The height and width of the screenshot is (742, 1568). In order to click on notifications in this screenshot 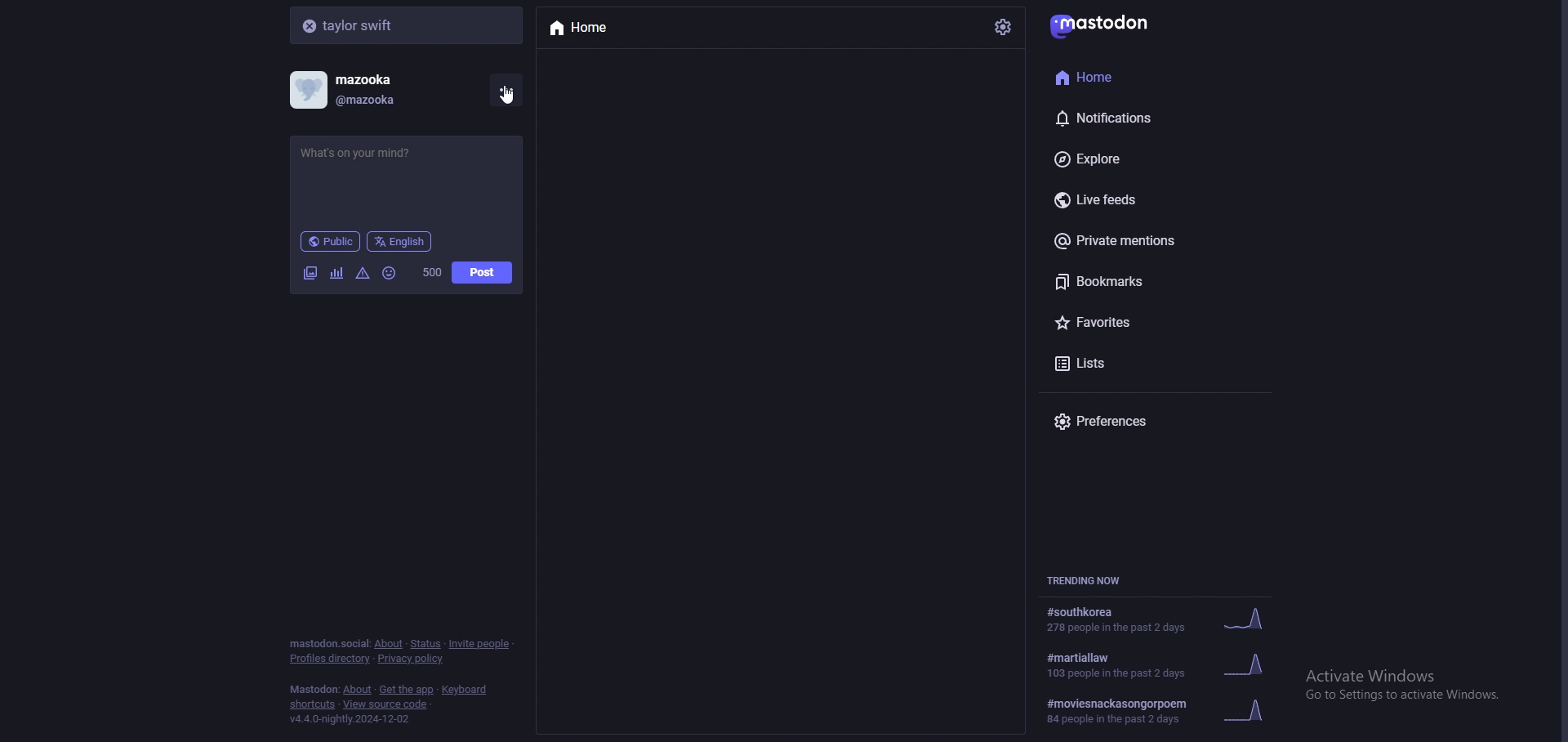, I will do `click(1132, 118)`.